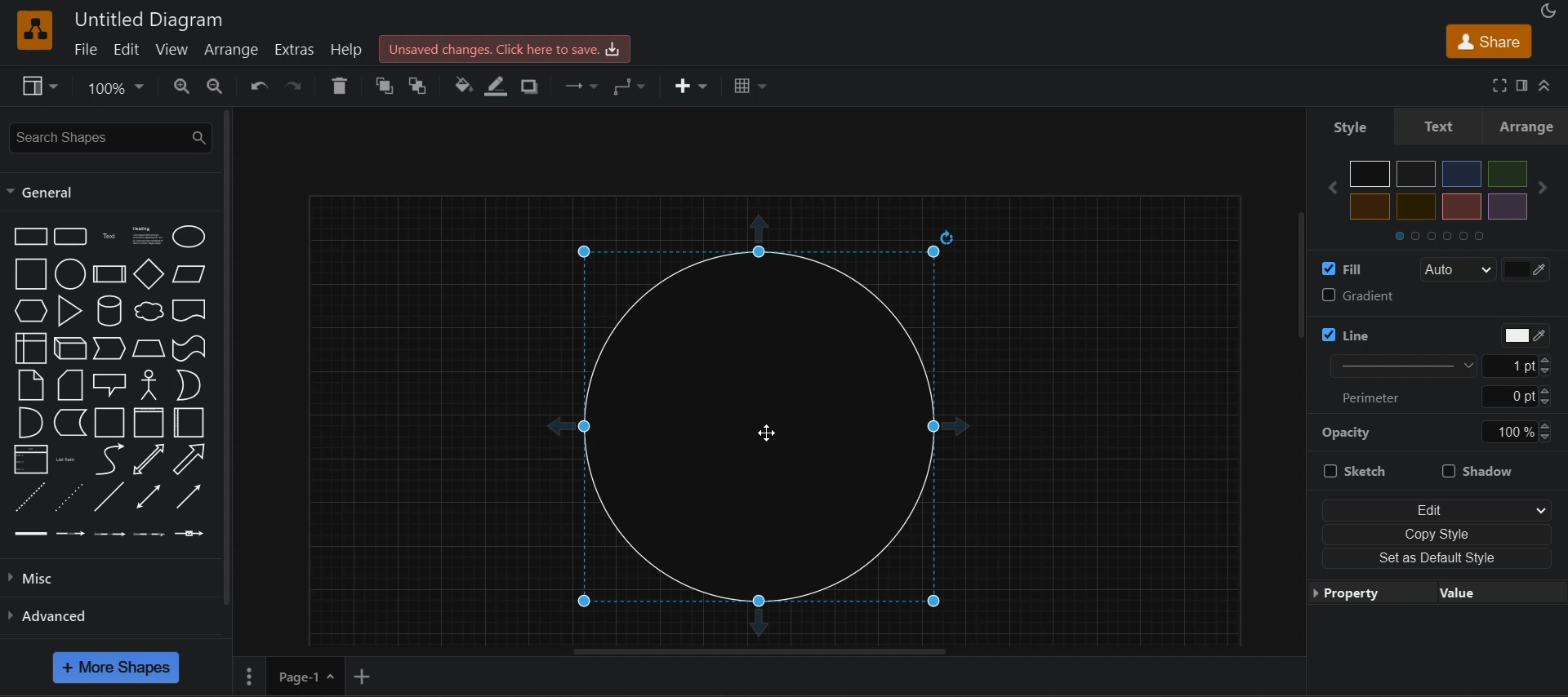  I want to click on sketch, so click(1365, 473).